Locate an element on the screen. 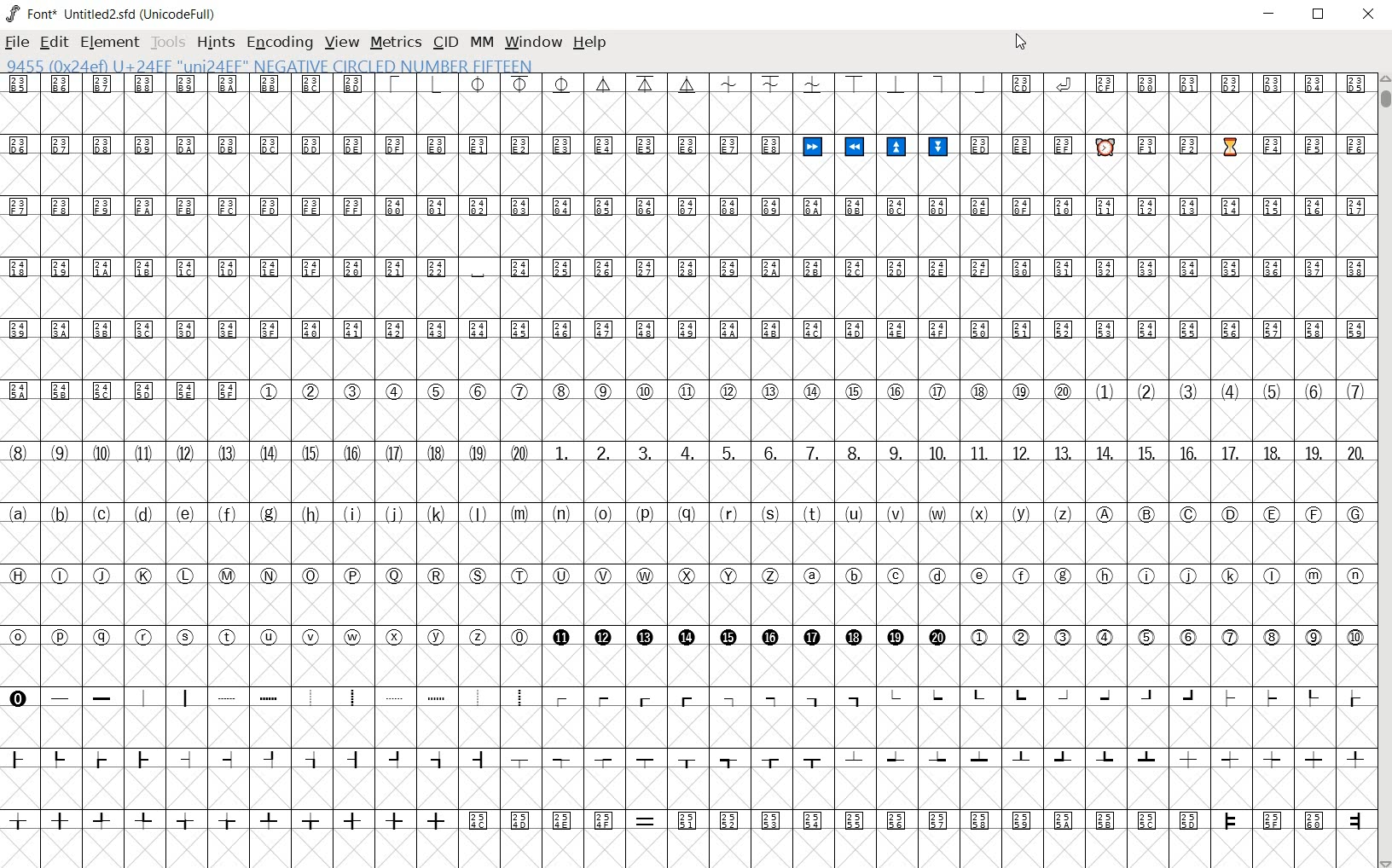 Image resolution: width=1392 pixels, height=868 pixels. CID is located at coordinates (445, 43).